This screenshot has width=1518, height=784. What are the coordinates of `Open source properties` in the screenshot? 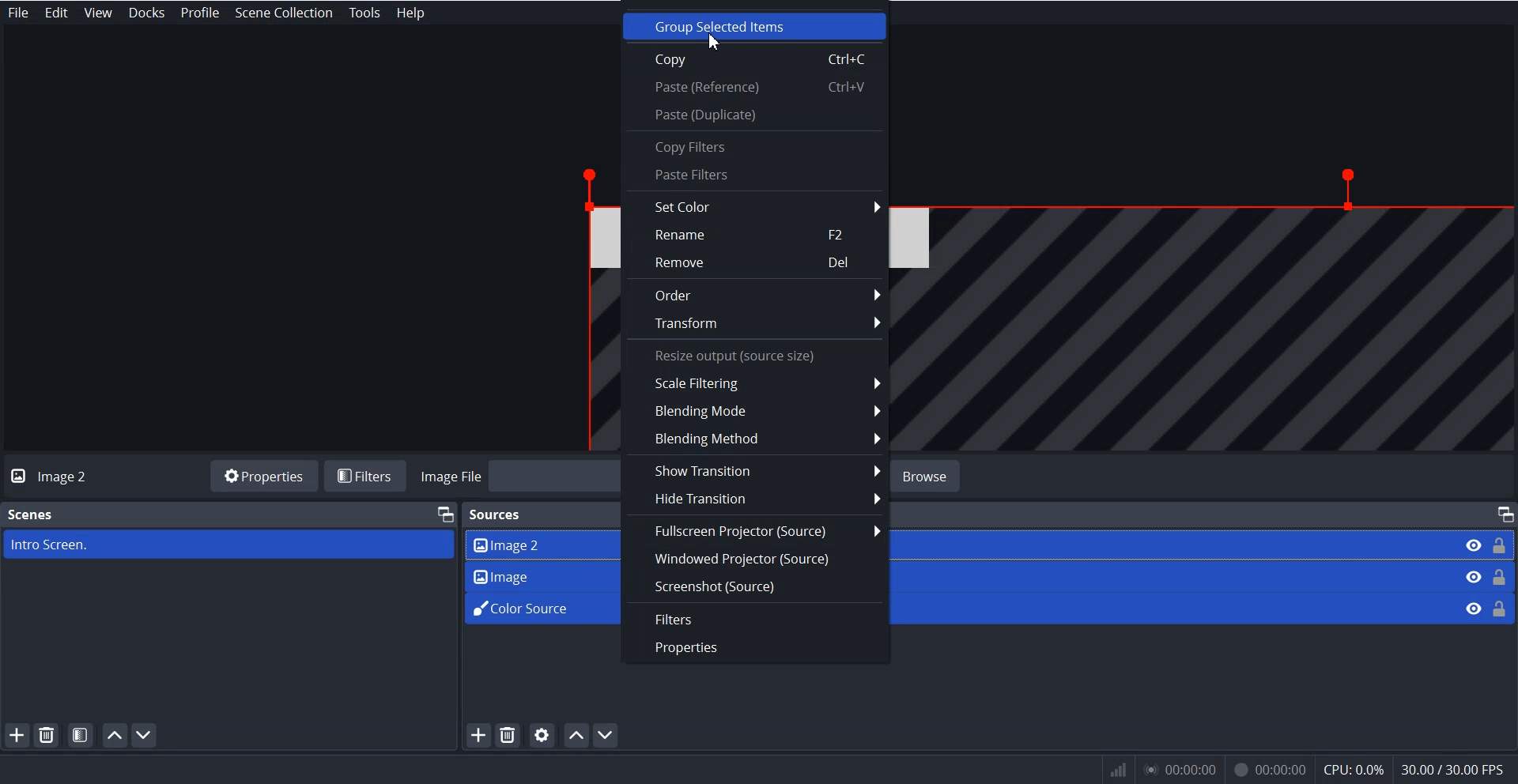 It's located at (542, 735).